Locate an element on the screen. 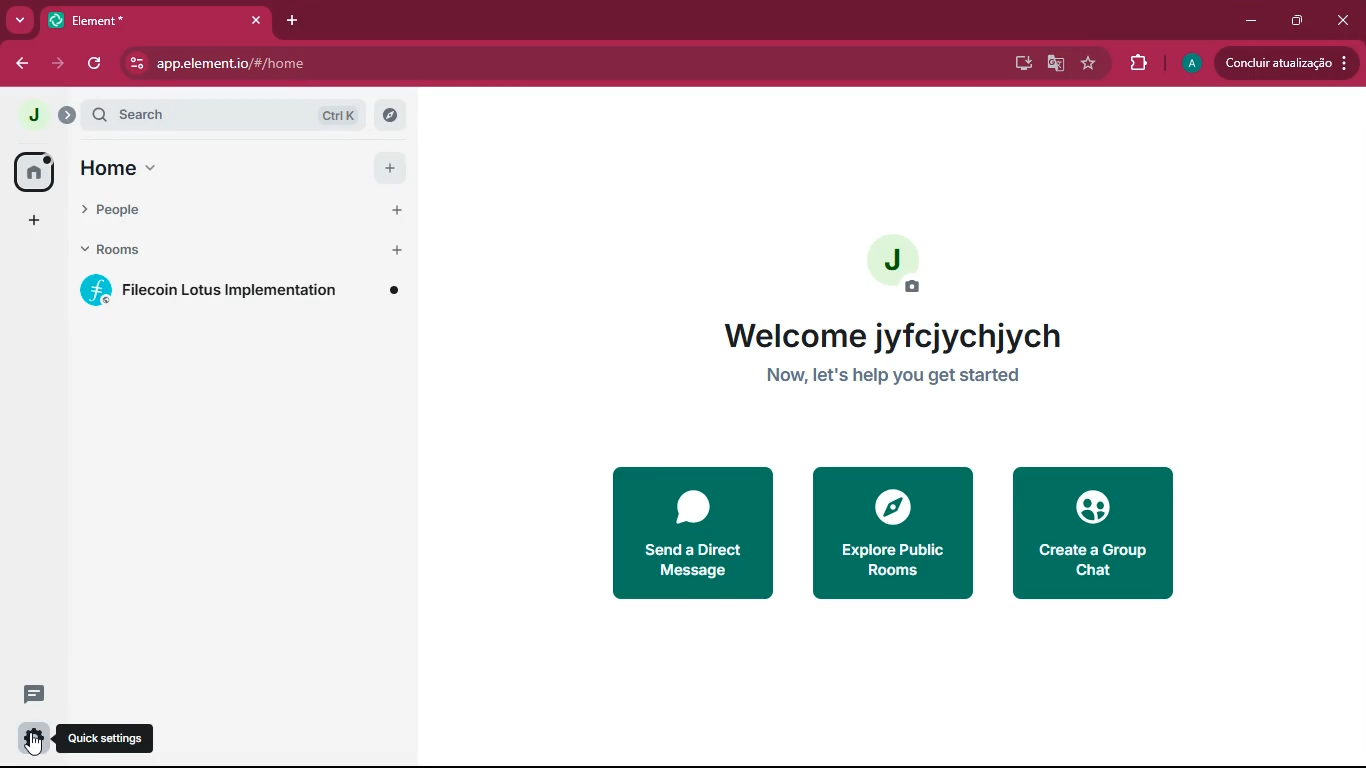  people is located at coordinates (242, 209).